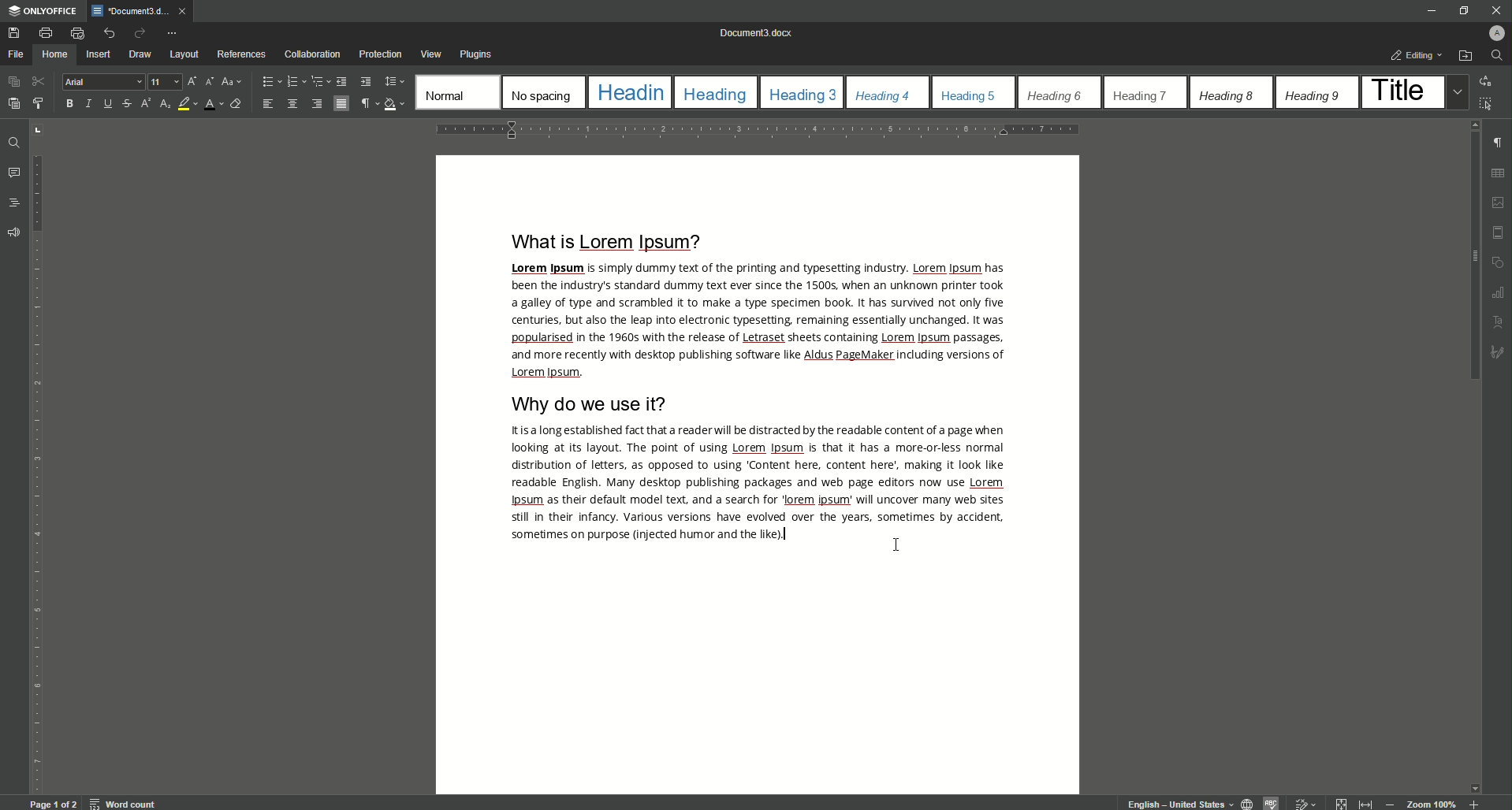 This screenshot has height=810, width=1512. I want to click on Quick Print, so click(73, 32).